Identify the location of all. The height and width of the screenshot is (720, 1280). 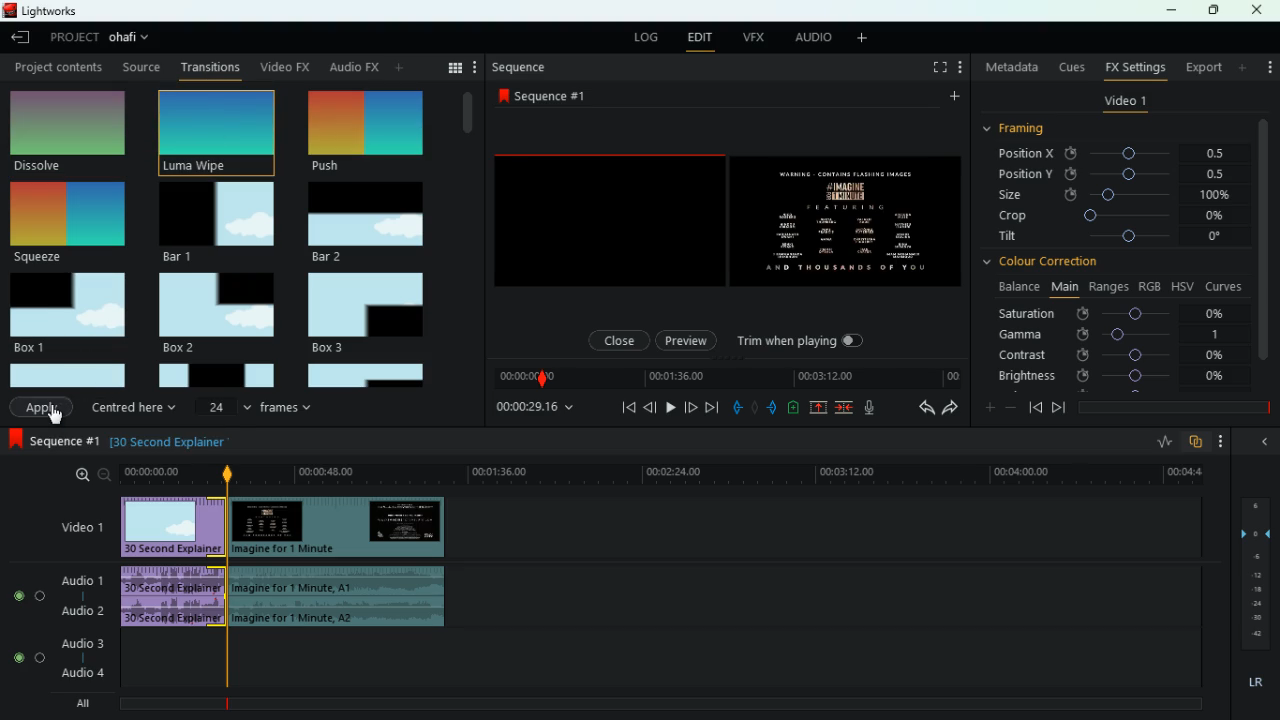
(90, 703).